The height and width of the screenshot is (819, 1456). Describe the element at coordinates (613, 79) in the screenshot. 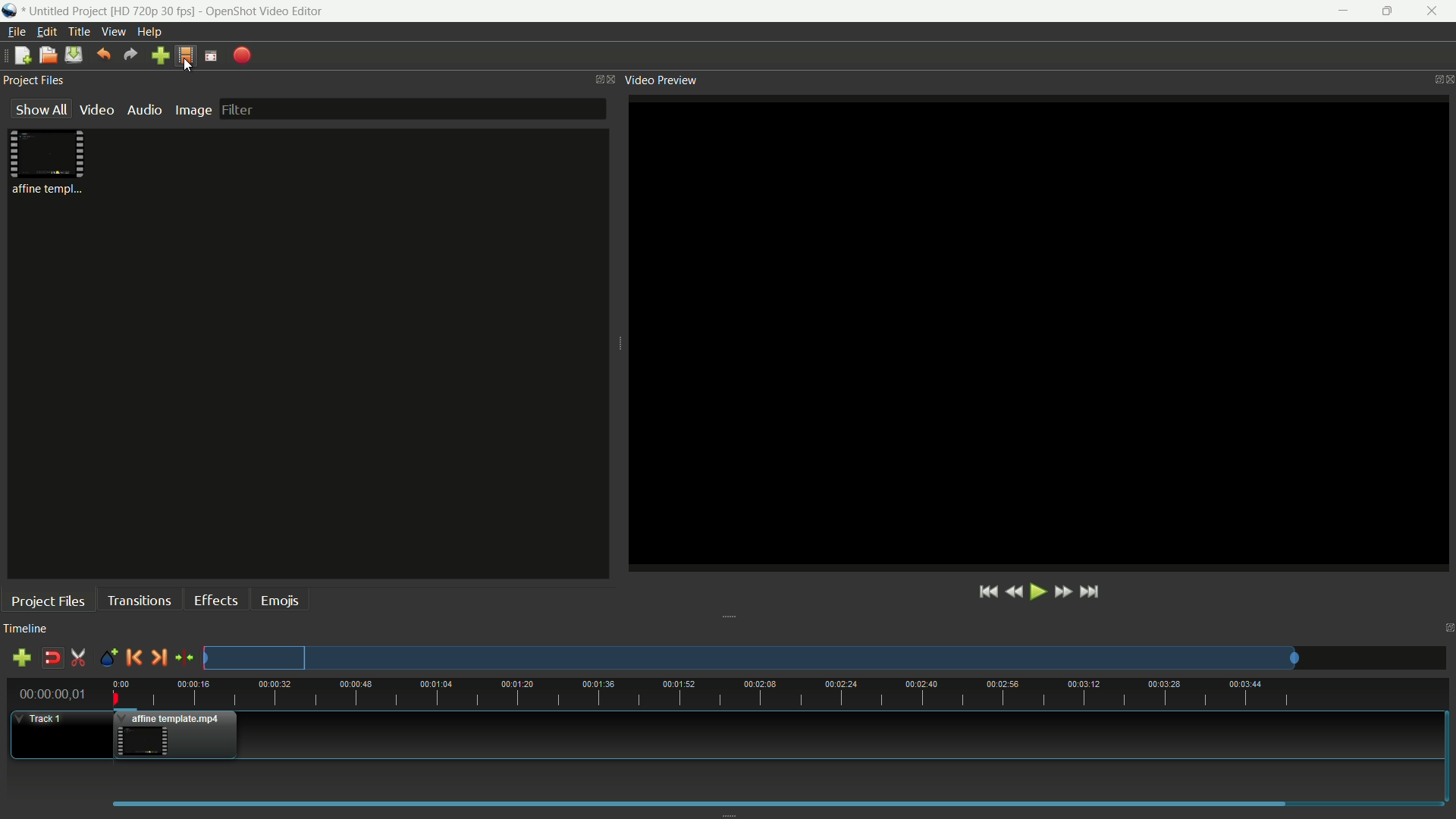

I see `close project files` at that location.